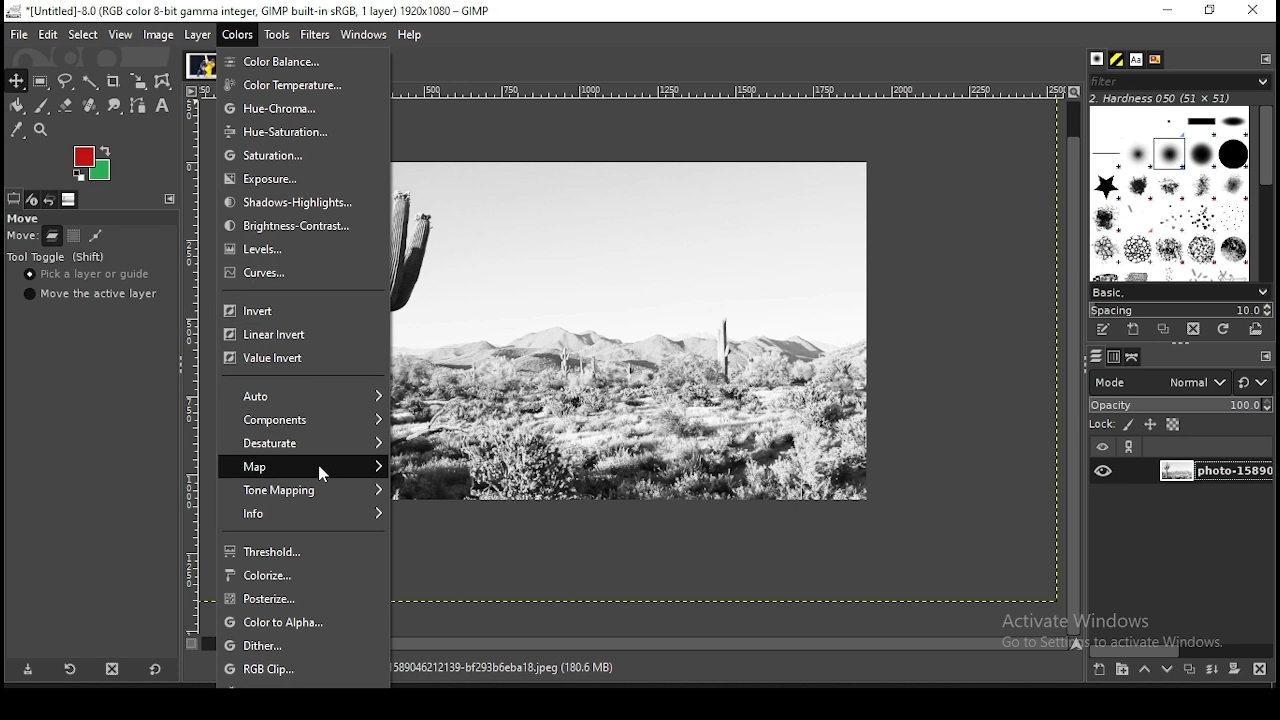 The height and width of the screenshot is (720, 1280). What do you see at coordinates (1171, 193) in the screenshot?
I see `brushes` at bounding box center [1171, 193].